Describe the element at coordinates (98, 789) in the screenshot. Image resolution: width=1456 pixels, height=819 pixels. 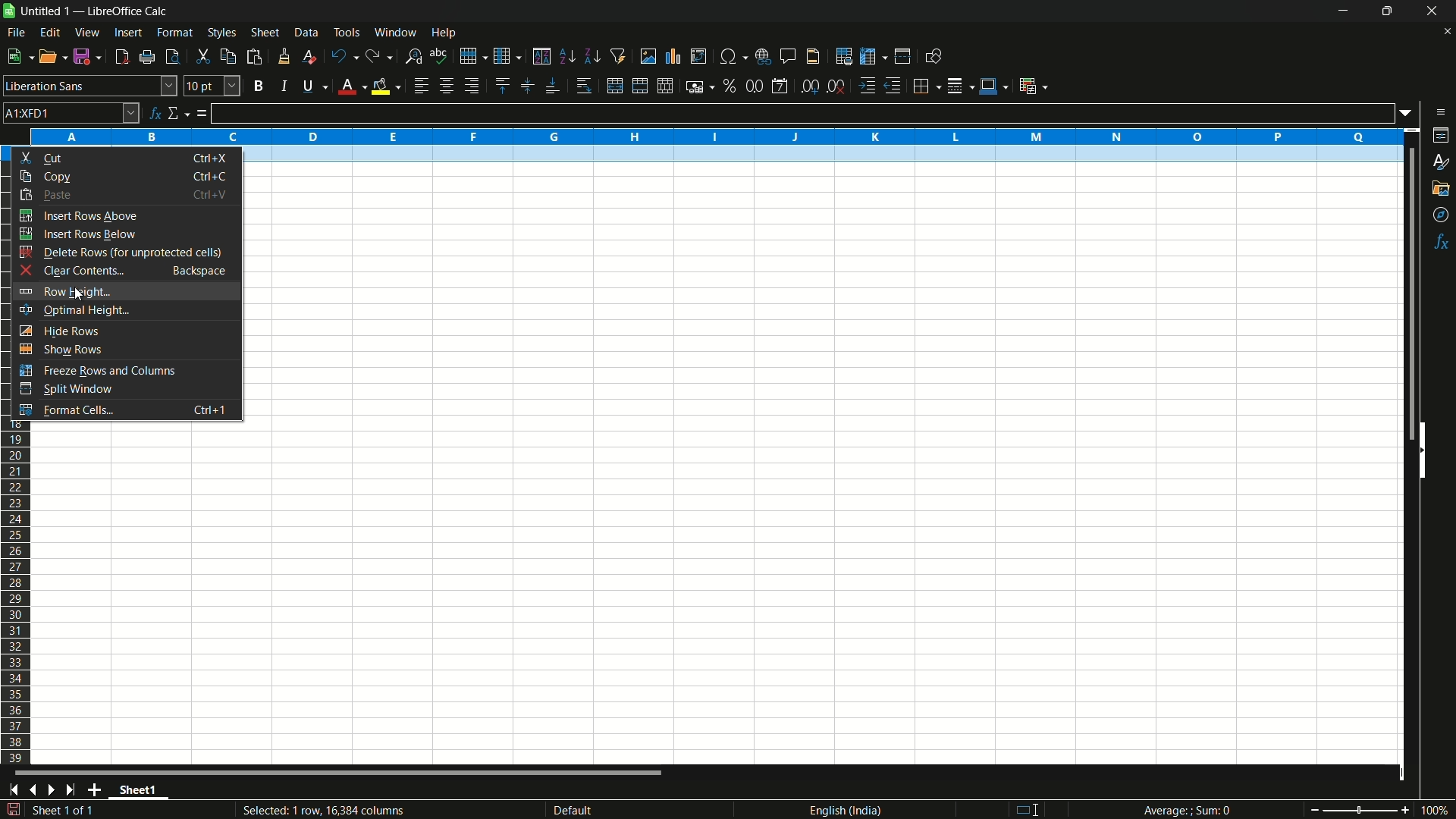
I see `add sheet` at that location.